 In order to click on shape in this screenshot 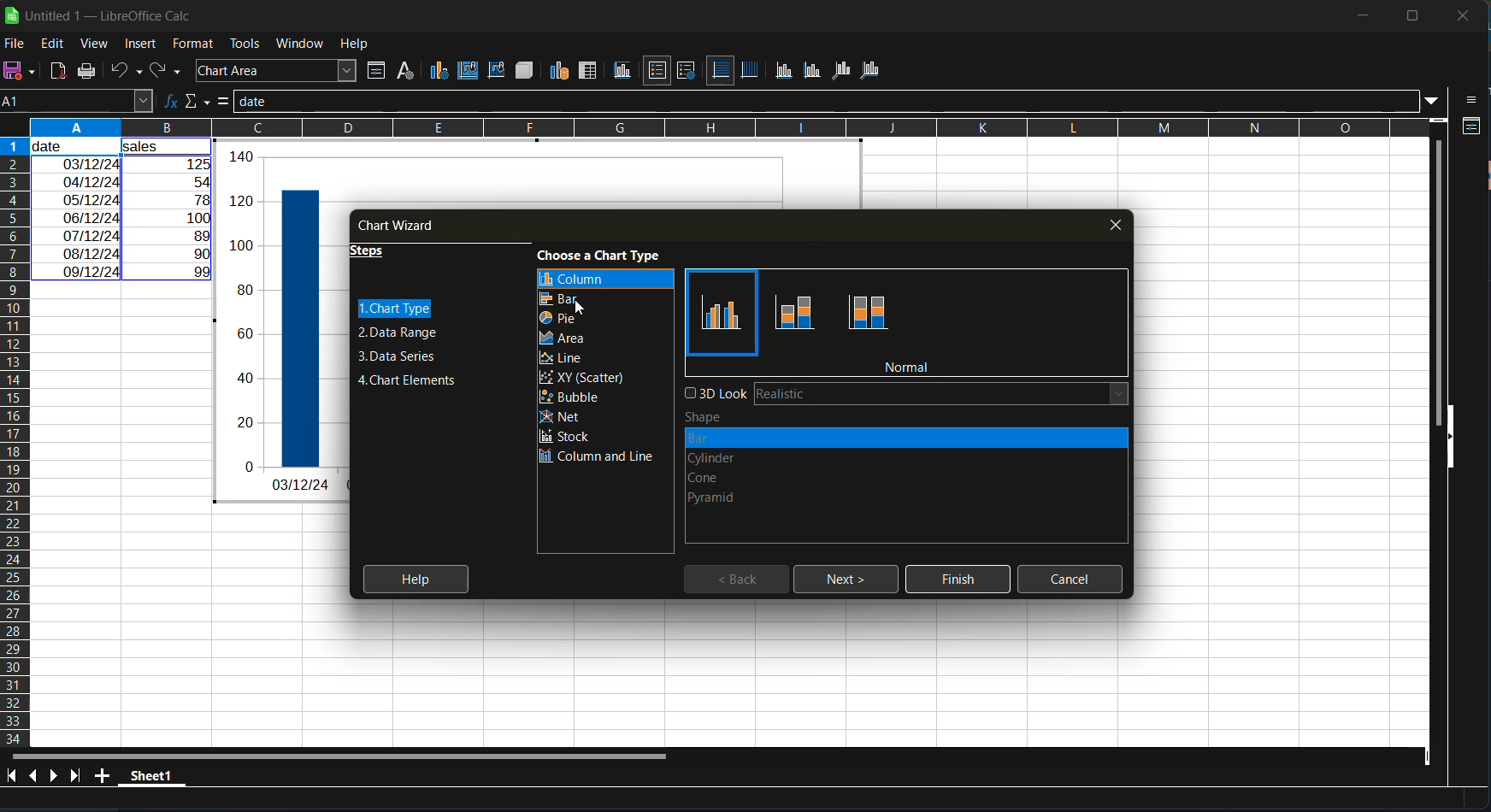, I will do `click(712, 417)`.